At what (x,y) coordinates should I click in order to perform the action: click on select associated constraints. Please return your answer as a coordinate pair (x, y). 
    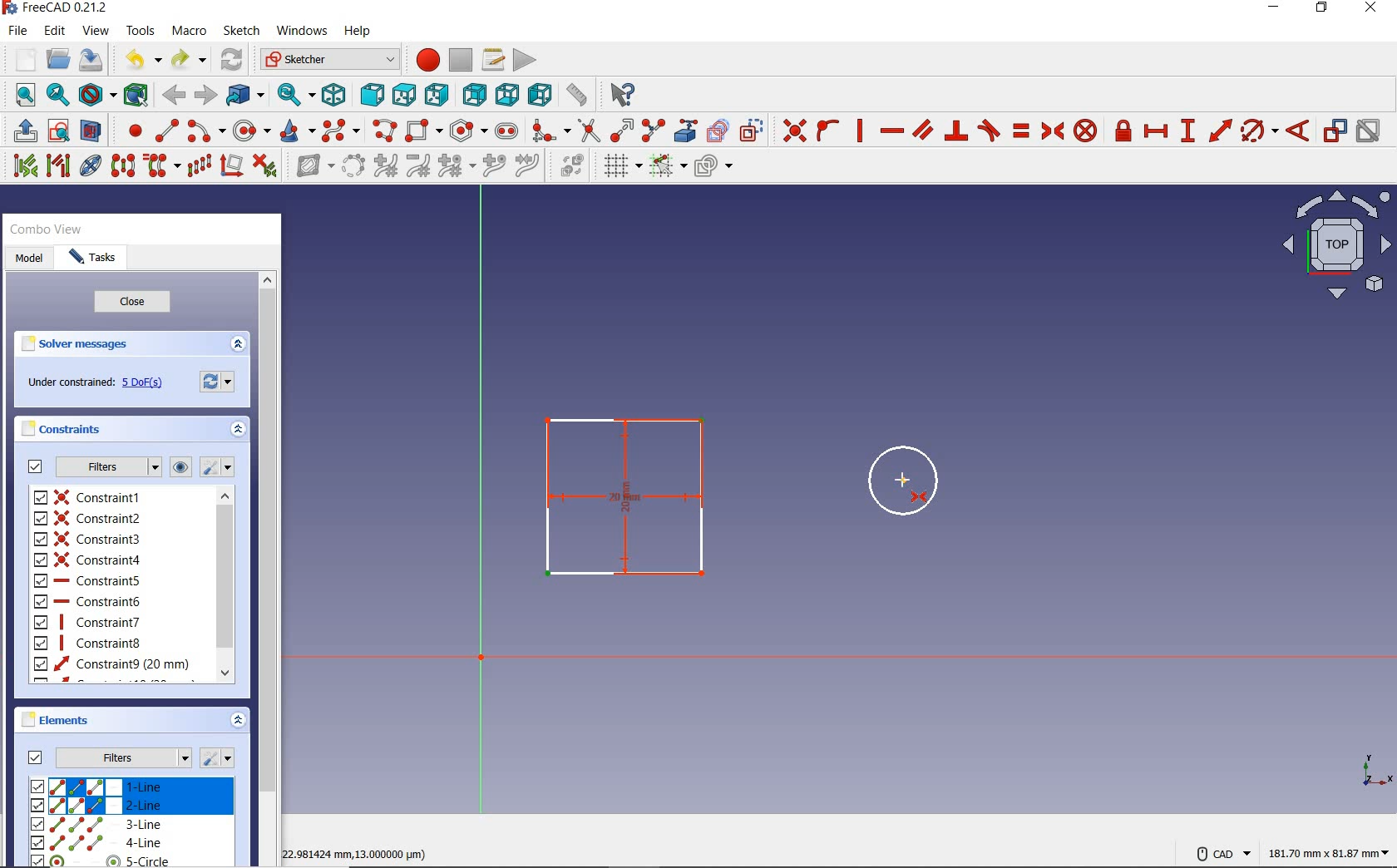
    Looking at the image, I should click on (22, 166).